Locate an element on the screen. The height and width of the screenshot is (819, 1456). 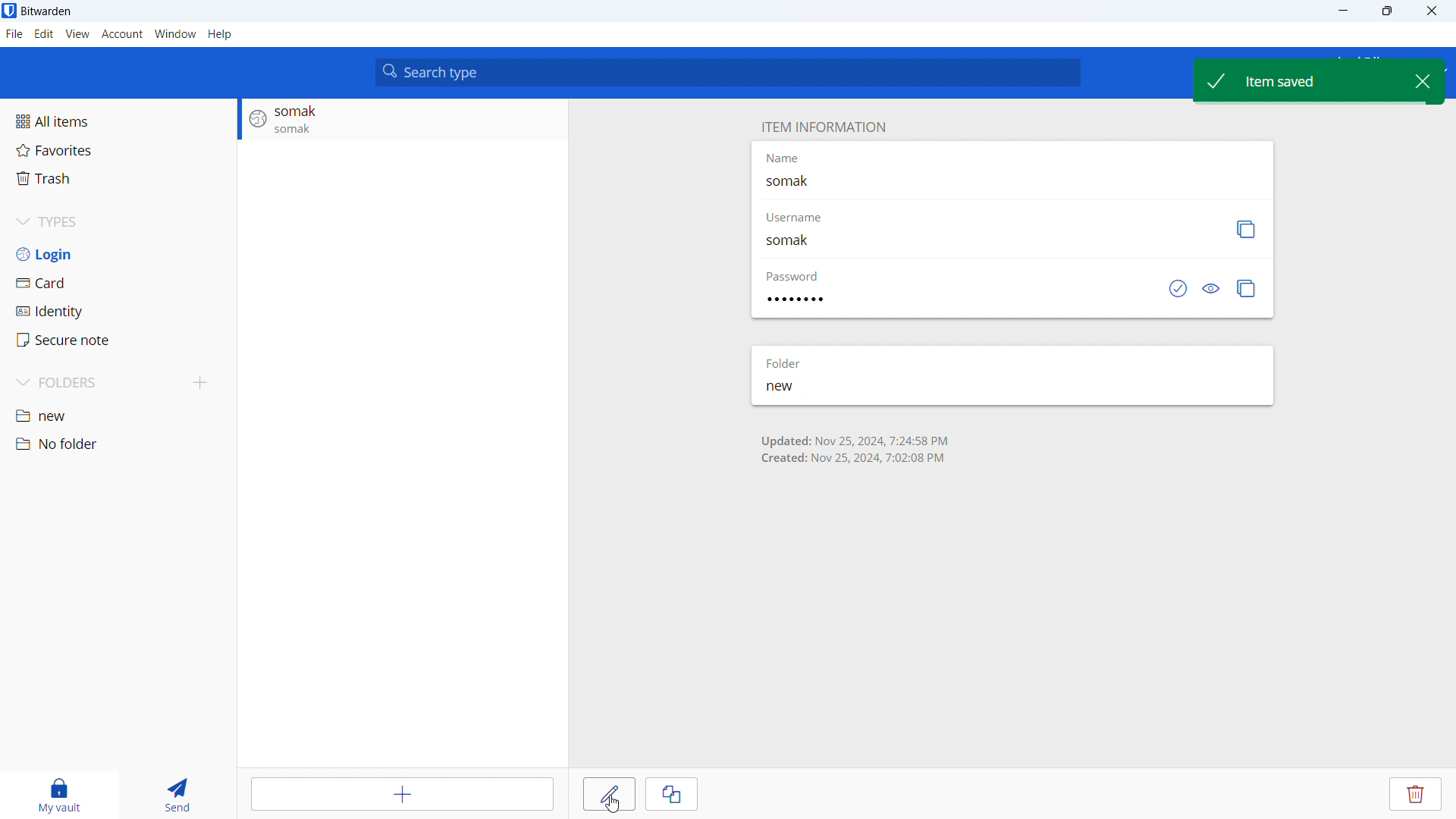
card is located at coordinates (118, 282).